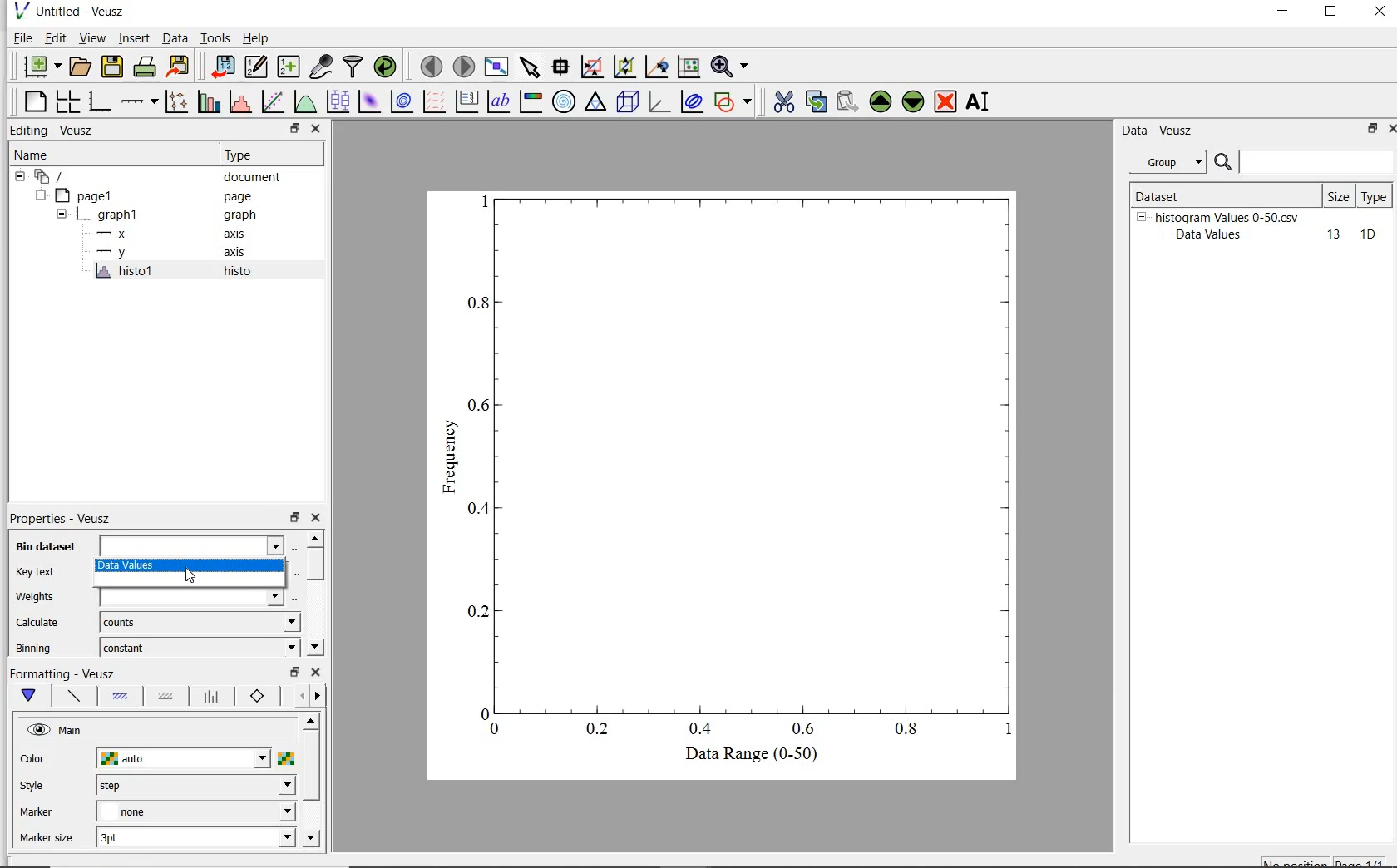  What do you see at coordinates (239, 102) in the screenshot?
I see `histogram of a dataset` at bounding box center [239, 102].